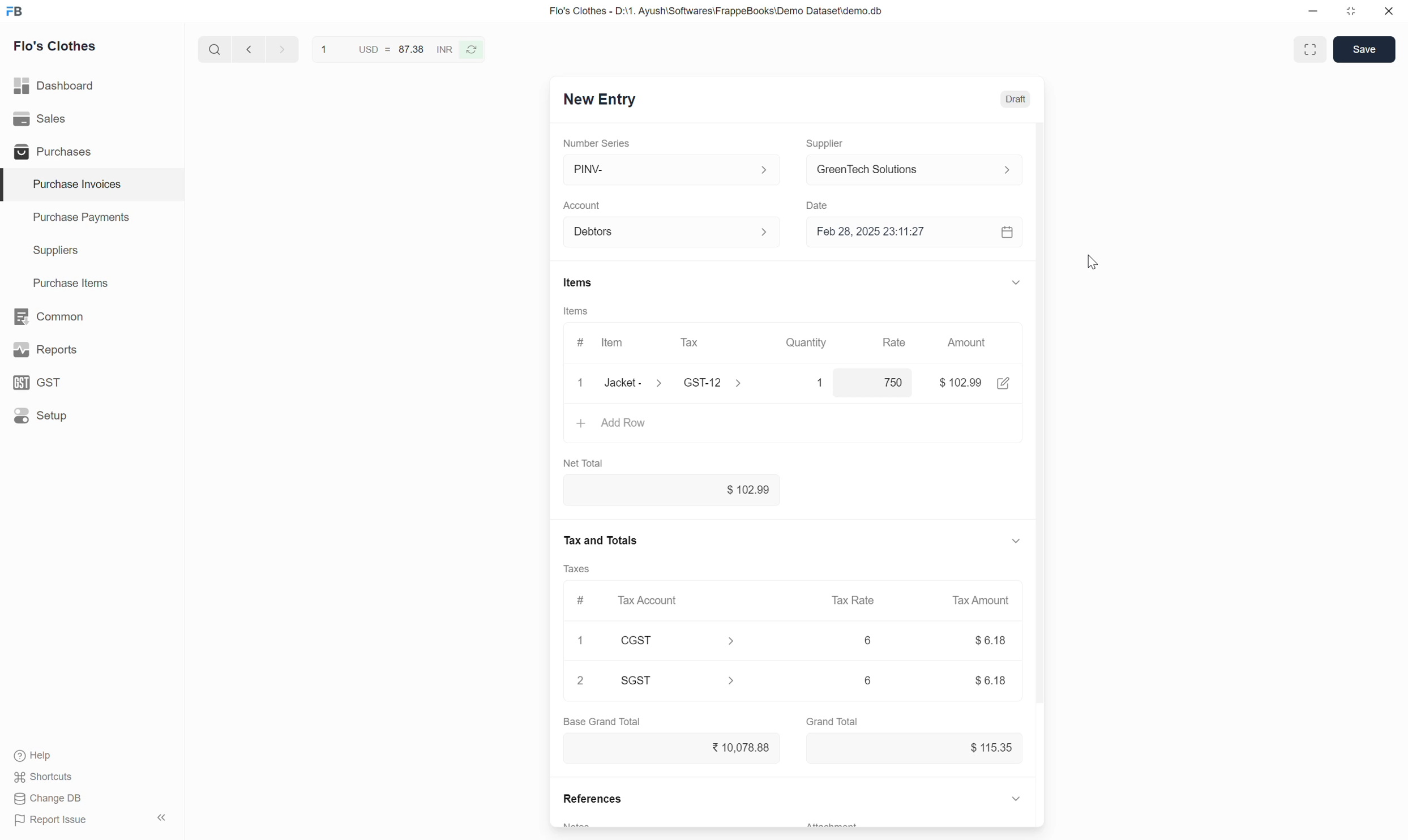  I want to click on 10,078.88, so click(672, 748).